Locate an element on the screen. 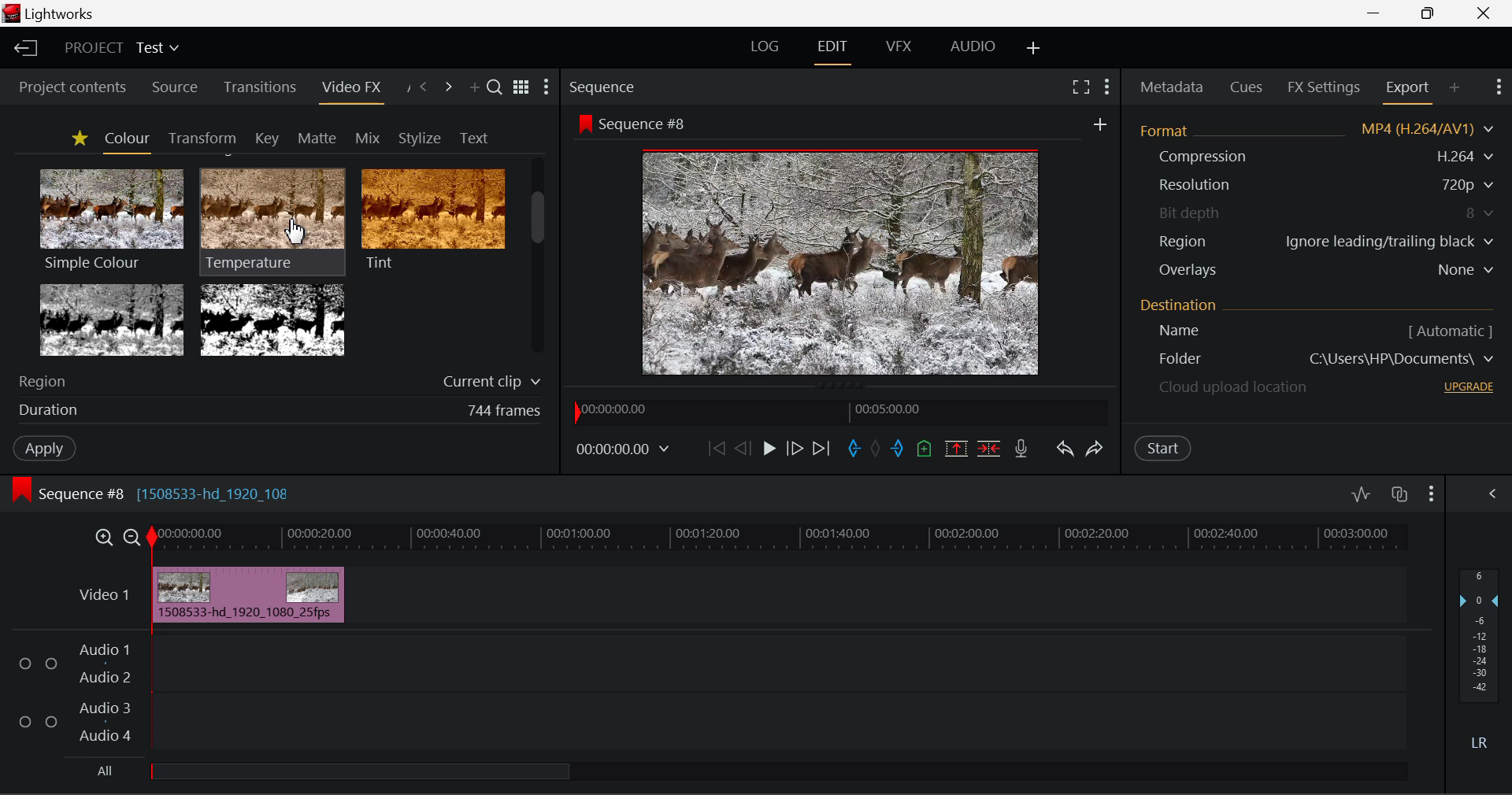  Timeline Zoom Out is located at coordinates (134, 537).